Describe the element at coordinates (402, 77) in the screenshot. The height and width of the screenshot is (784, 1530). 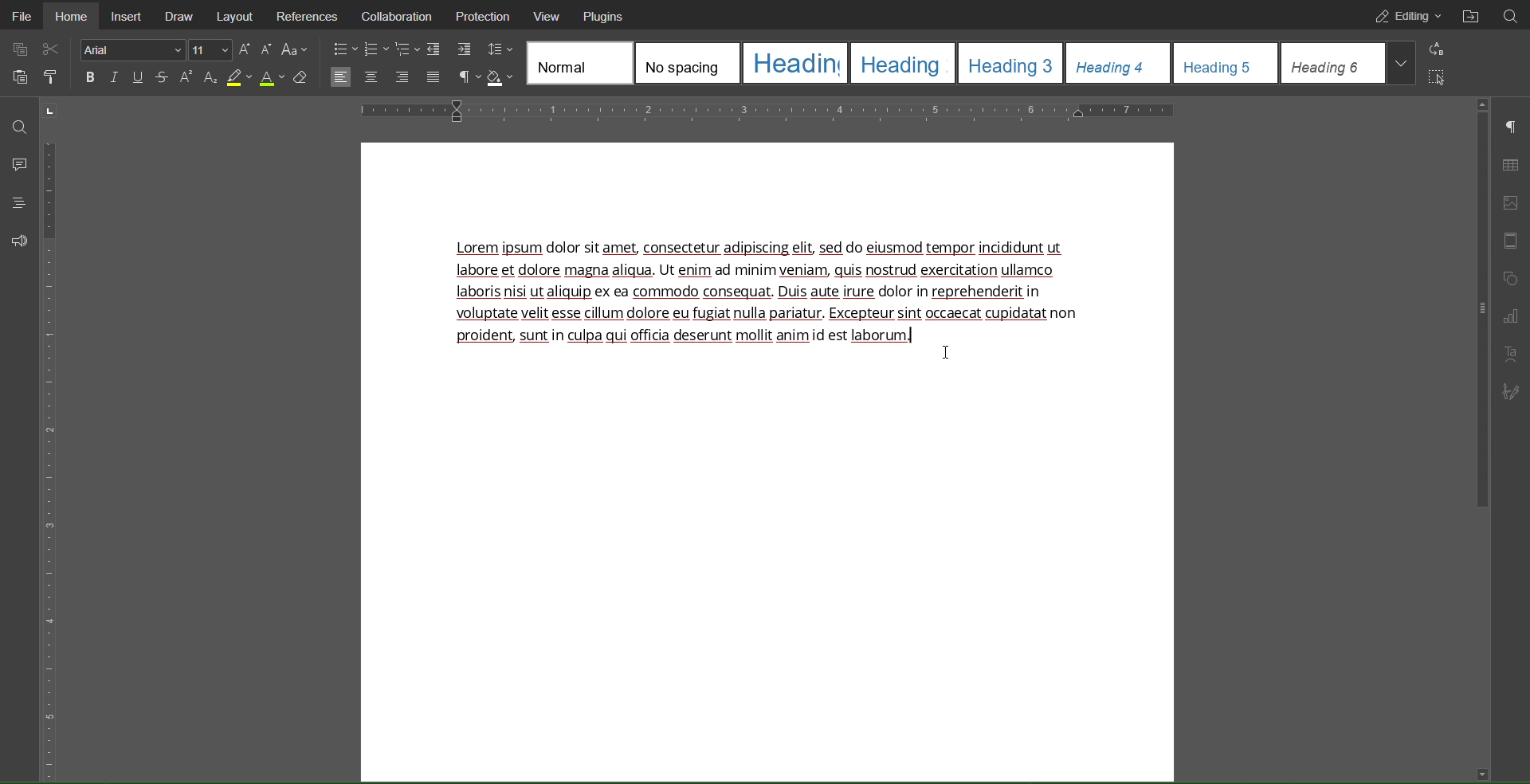
I see `Right Align` at that location.